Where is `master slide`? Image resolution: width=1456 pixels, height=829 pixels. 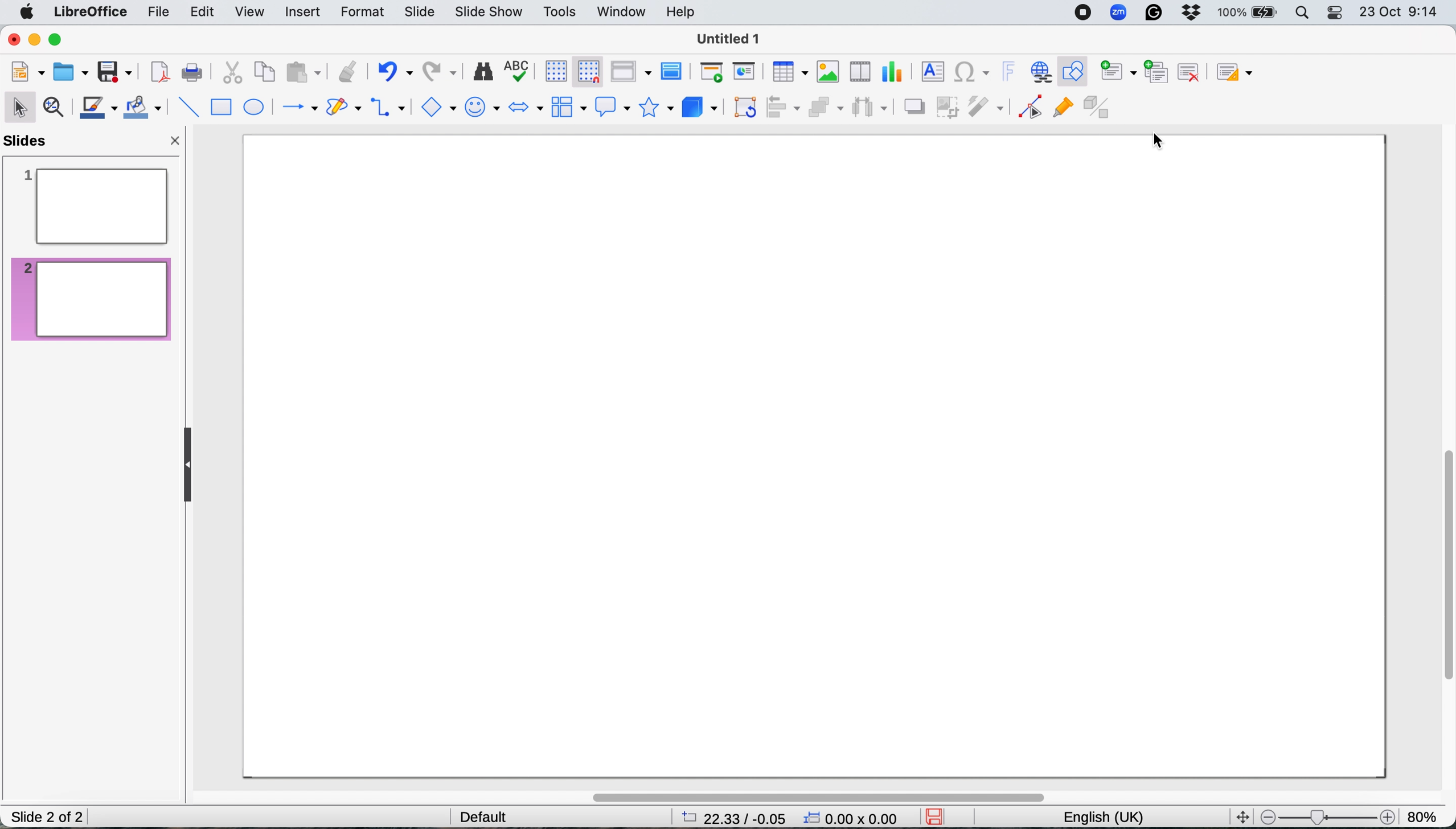
master slide is located at coordinates (674, 72).